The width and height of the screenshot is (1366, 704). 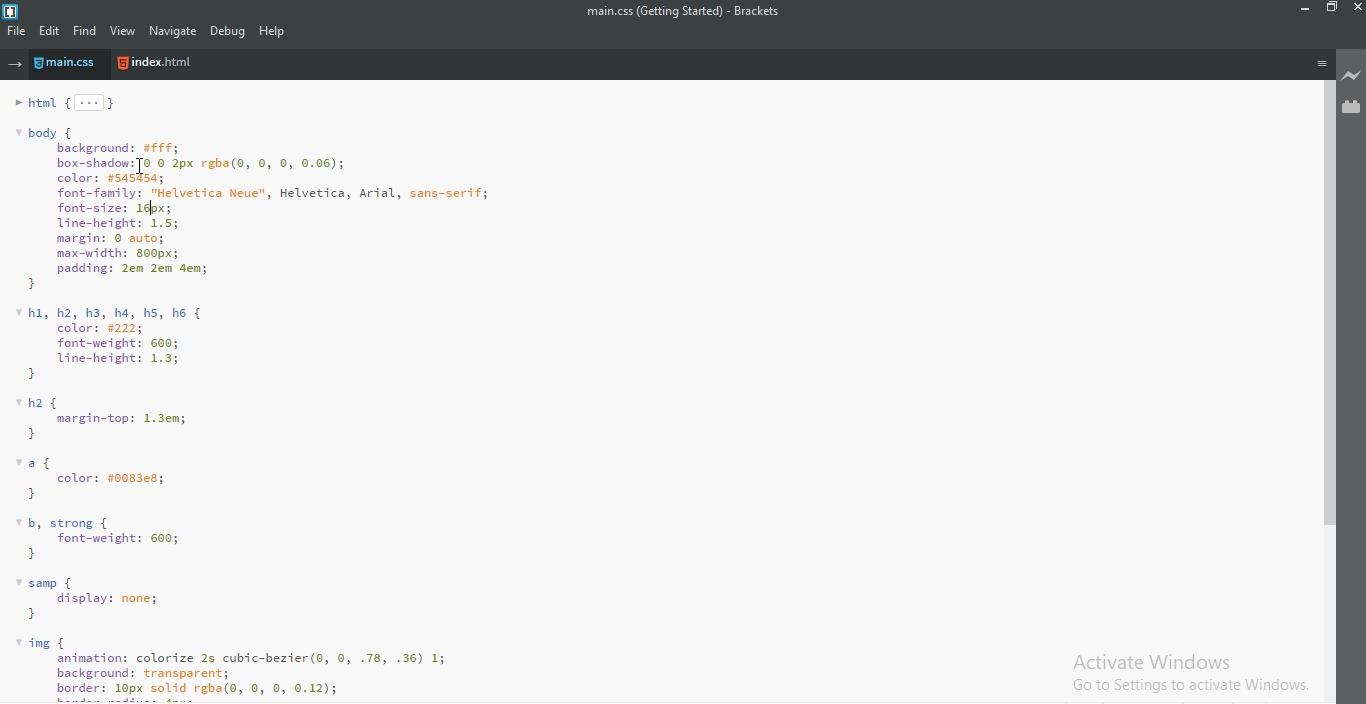 What do you see at coordinates (274, 31) in the screenshot?
I see `help` at bounding box center [274, 31].